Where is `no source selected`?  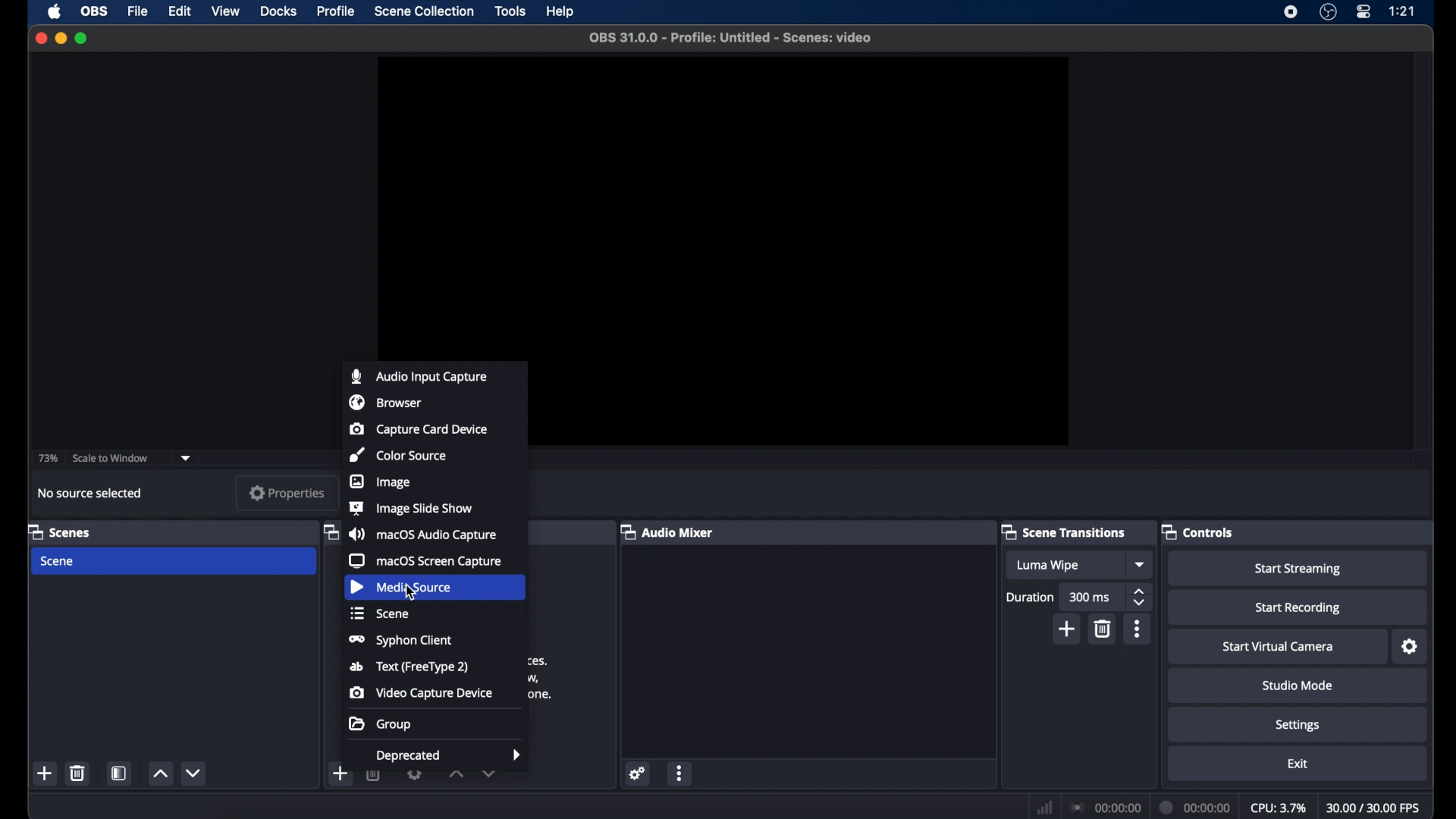 no source selected is located at coordinates (92, 492).